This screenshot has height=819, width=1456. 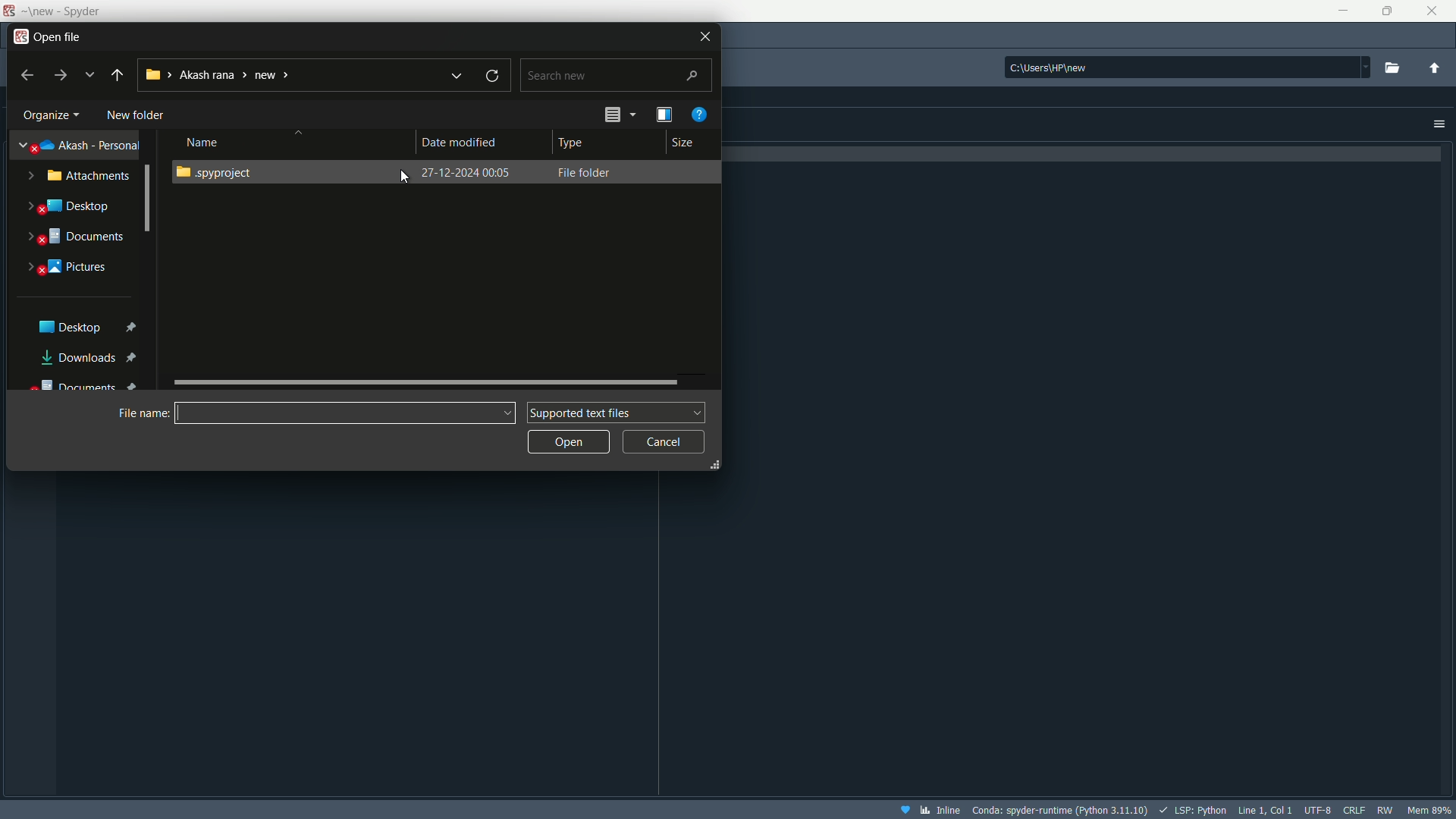 What do you see at coordinates (85, 327) in the screenshot?
I see `Desktop` at bounding box center [85, 327].